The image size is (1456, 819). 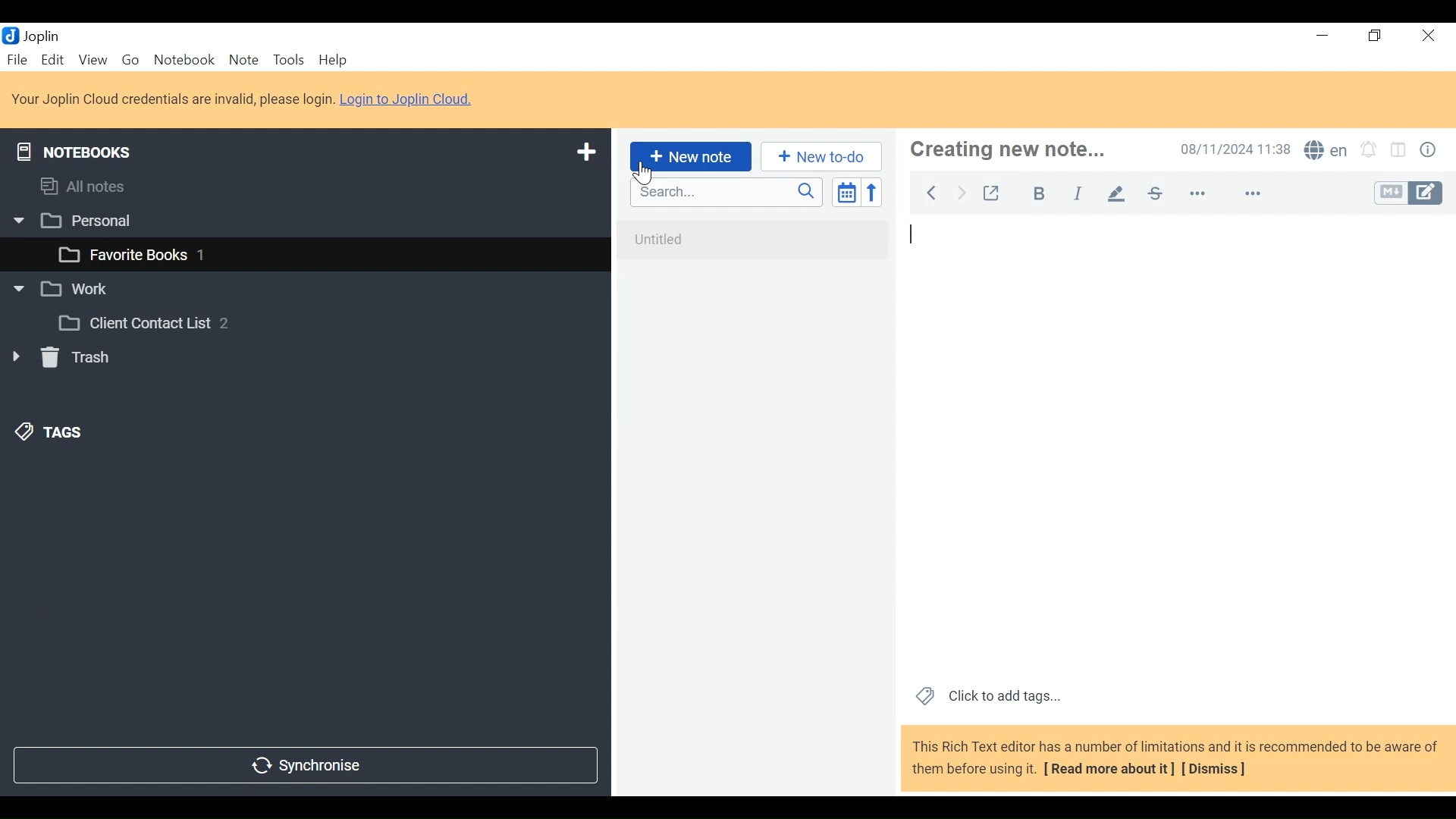 I want to click on Back, so click(x=934, y=193).